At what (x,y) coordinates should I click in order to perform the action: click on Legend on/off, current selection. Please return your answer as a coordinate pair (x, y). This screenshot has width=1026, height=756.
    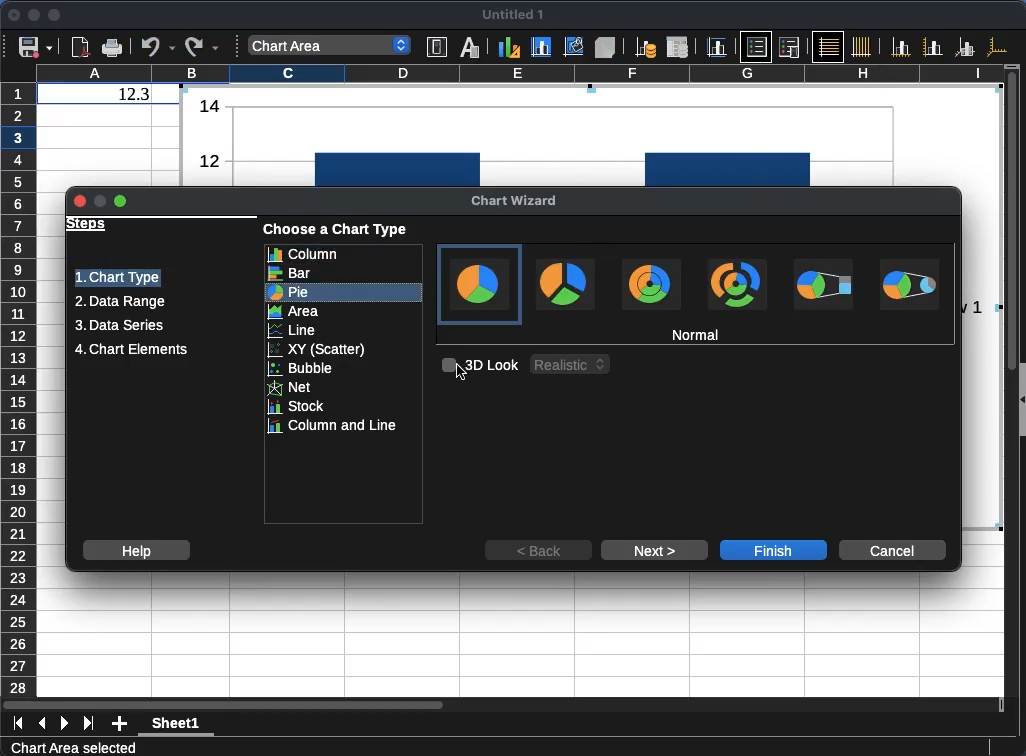
    Looking at the image, I should click on (756, 46).